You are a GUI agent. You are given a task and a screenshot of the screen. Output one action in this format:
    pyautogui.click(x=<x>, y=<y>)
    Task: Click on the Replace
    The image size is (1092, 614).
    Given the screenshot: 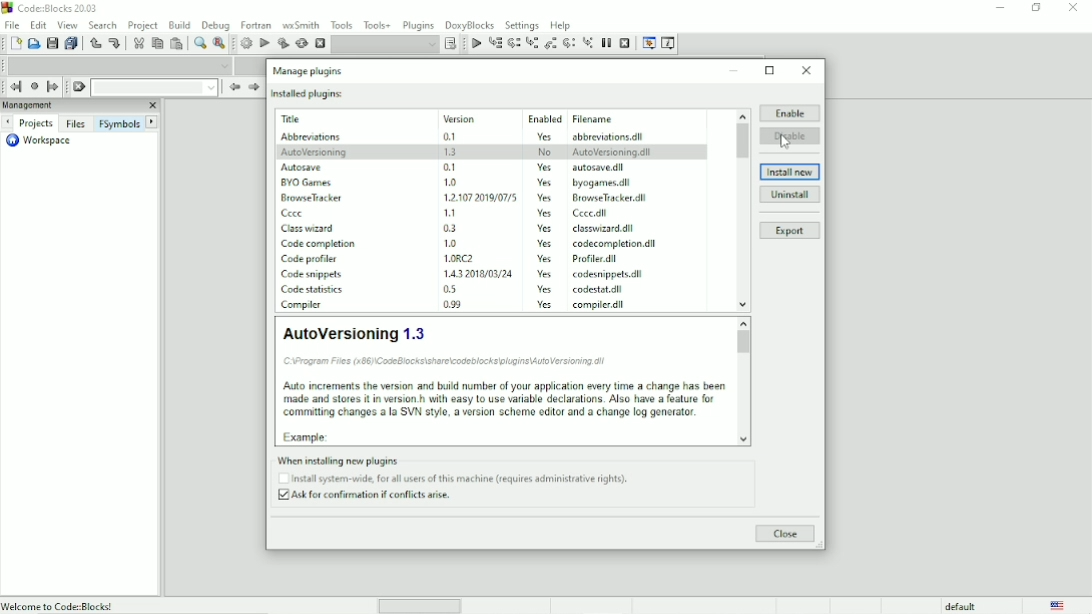 What is the action you would take?
    pyautogui.click(x=219, y=44)
    